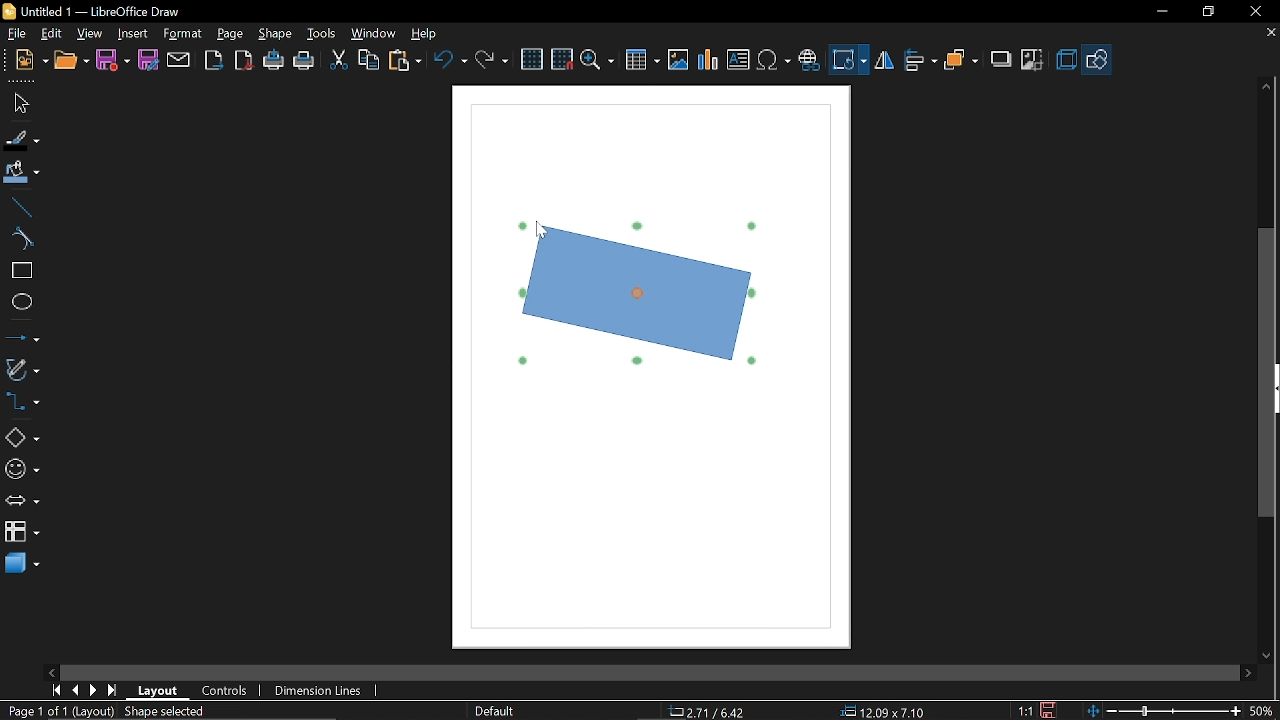 This screenshot has width=1280, height=720. Describe the element at coordinates (918, 61) in the screenshot. I see `allign` at that location.